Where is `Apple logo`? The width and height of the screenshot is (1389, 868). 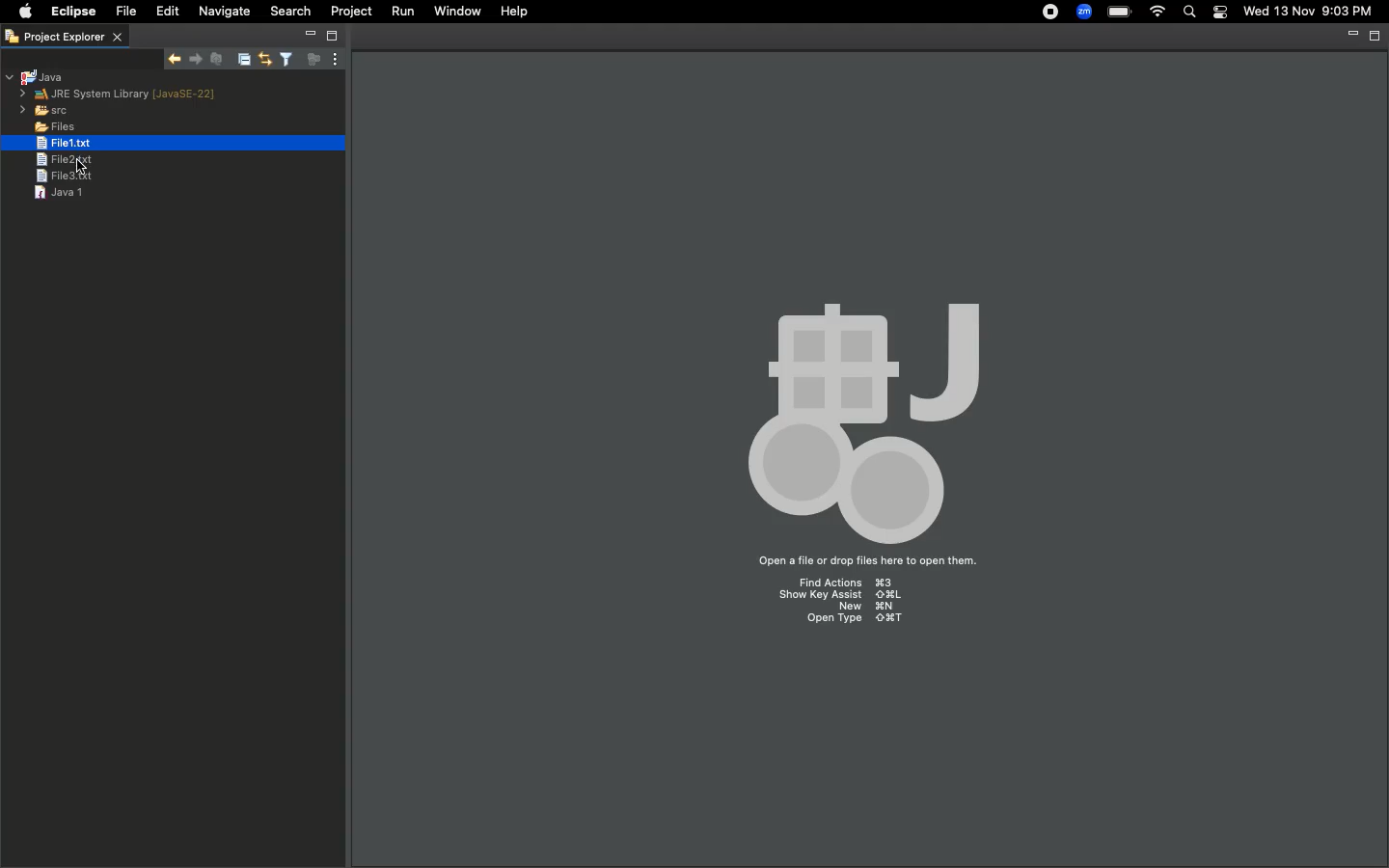
Apple logo is located at coordinates (21, 14).